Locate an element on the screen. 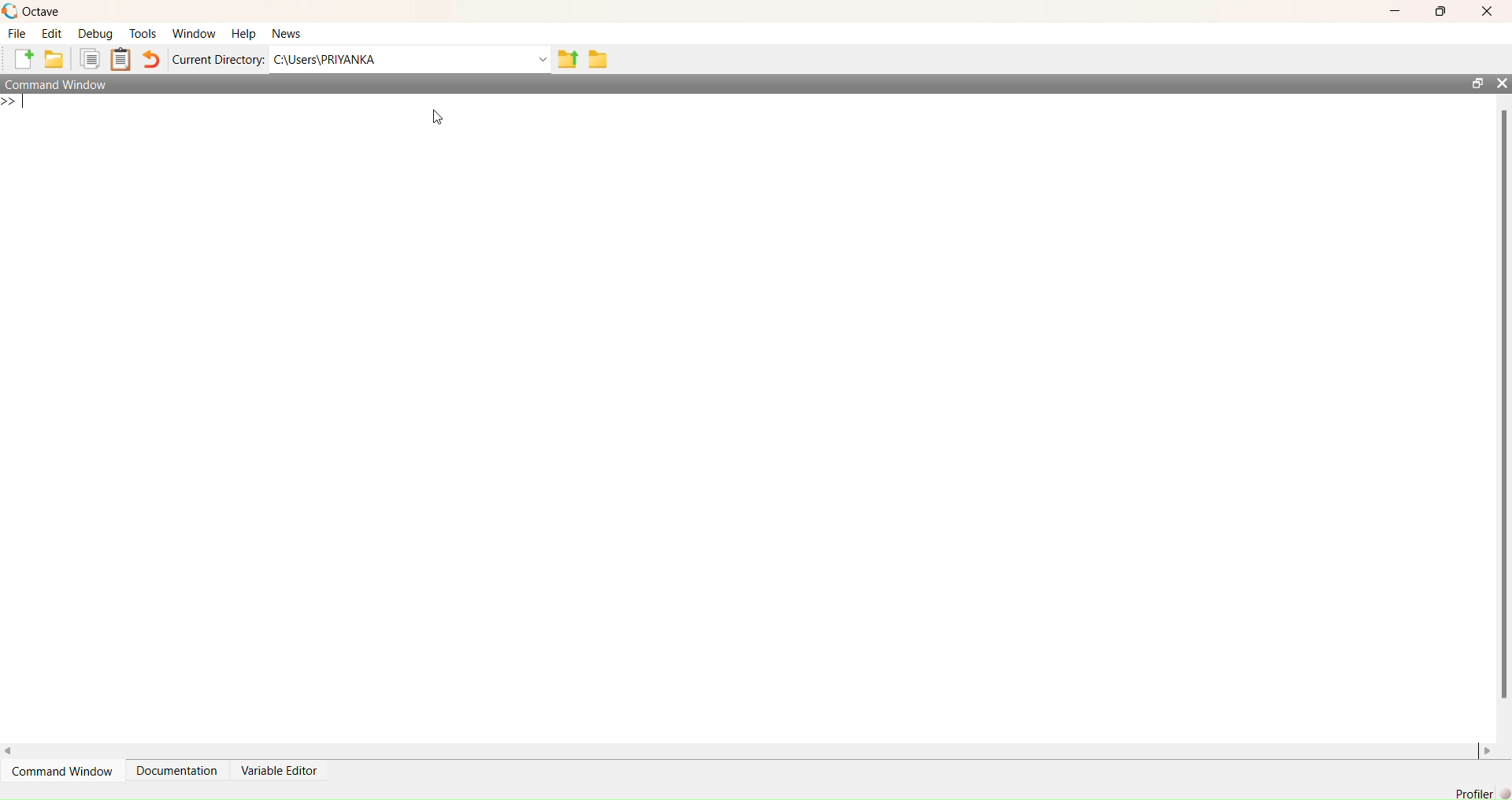 Image resolution: width=1512 pixels, height=800 pixels. Drop-down  is located at coordinates (543, 59).